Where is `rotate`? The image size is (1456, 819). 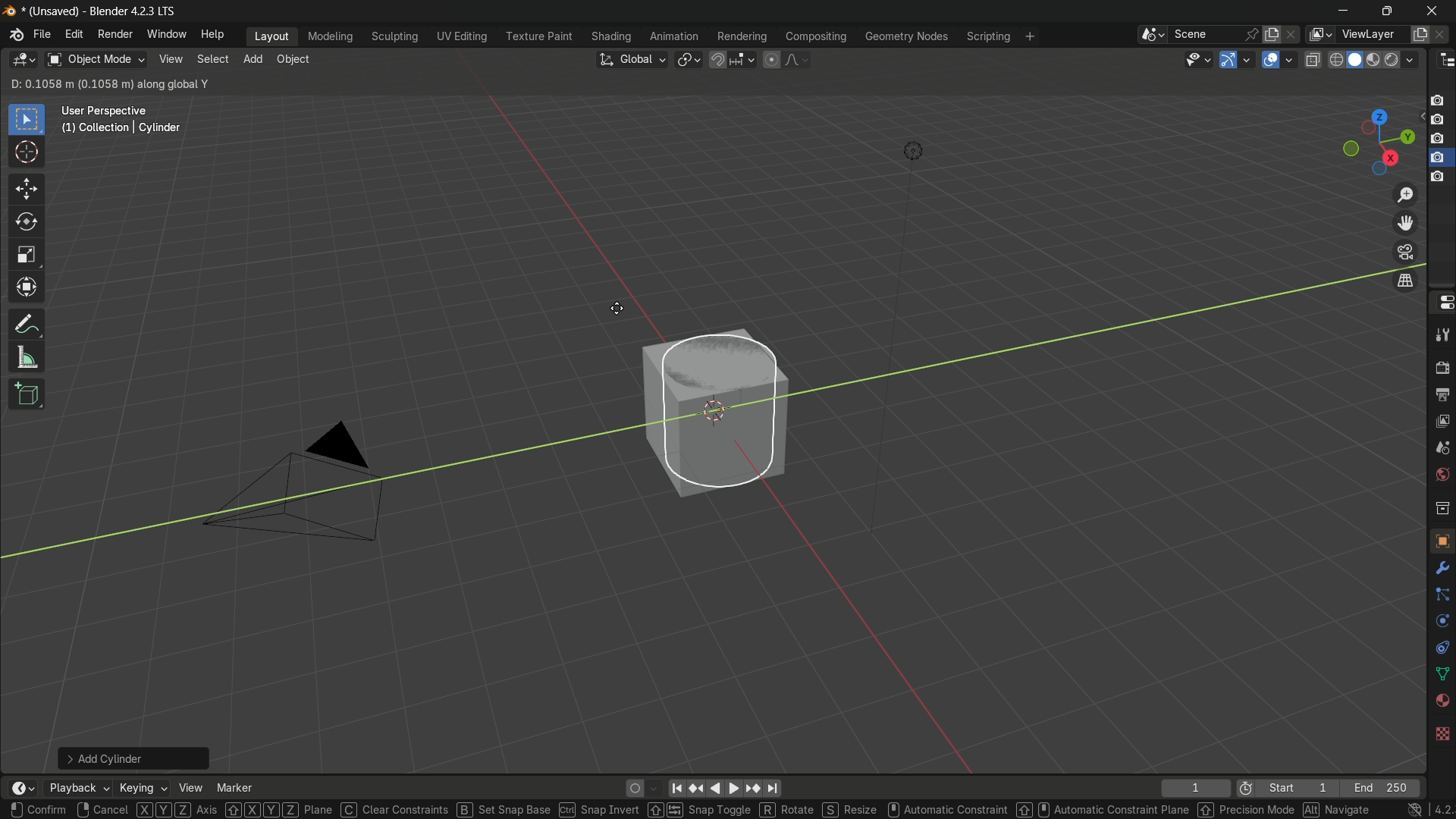
rotate is located at coordinates (785, 810).